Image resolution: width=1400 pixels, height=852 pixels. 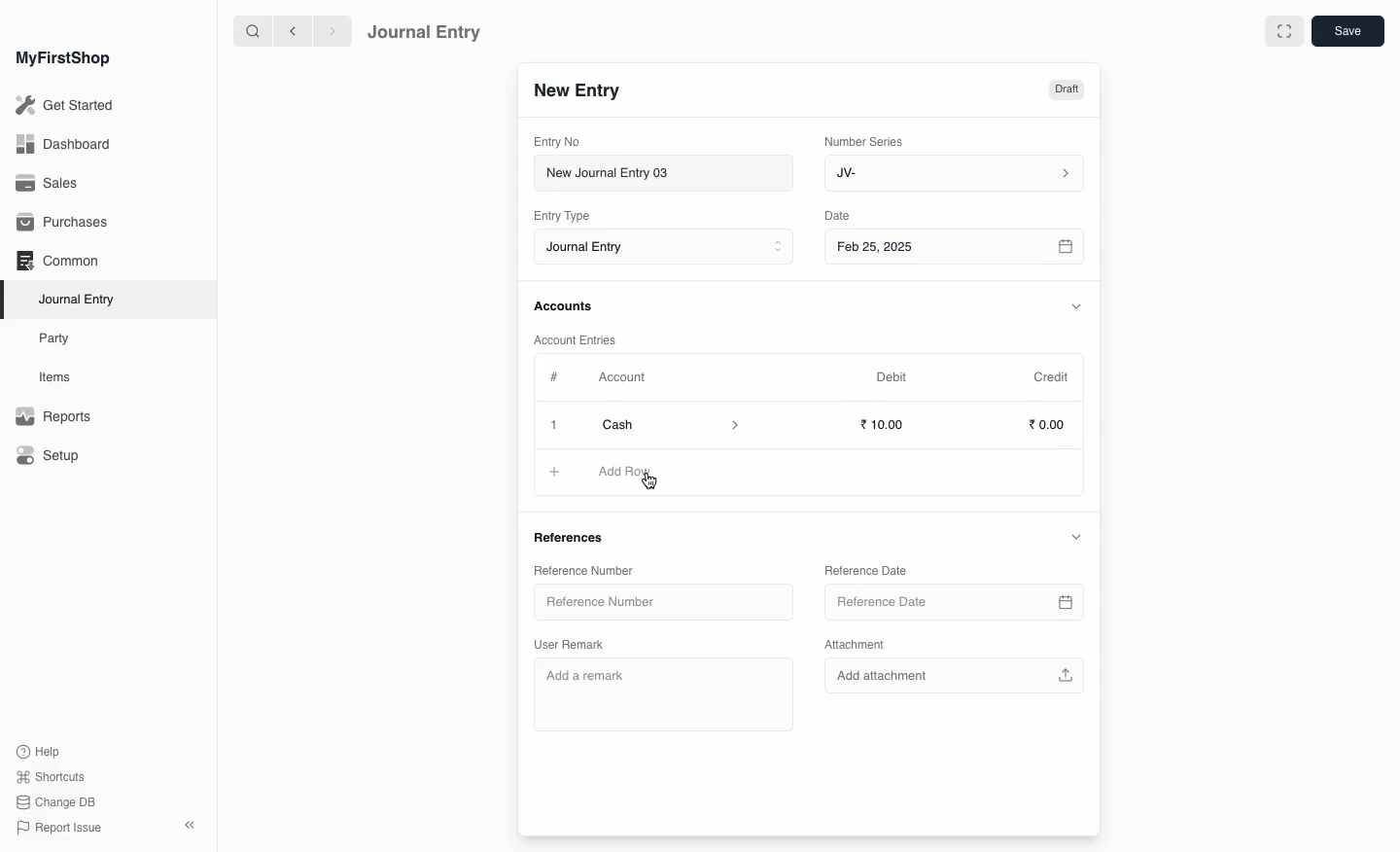 I want to click on User Remark, so click(x=577, y=645).